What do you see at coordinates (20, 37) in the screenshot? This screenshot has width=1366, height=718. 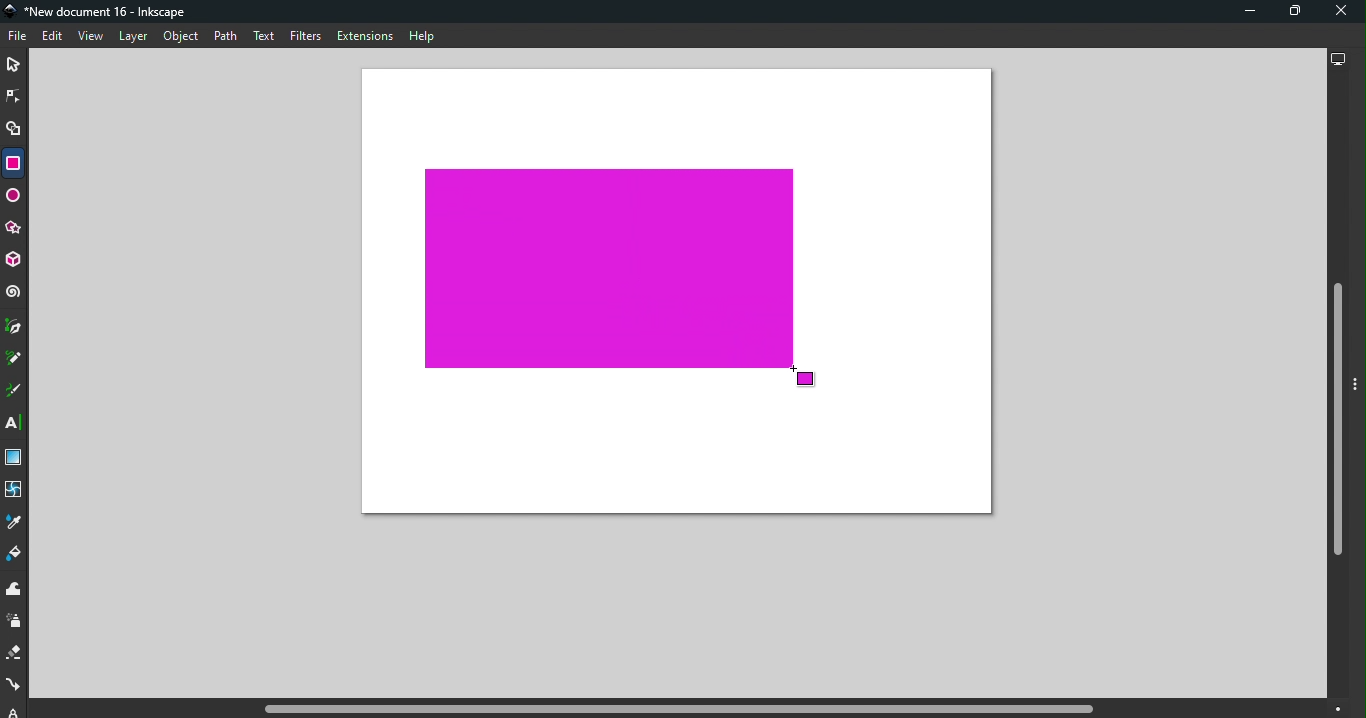 I see `File` at bounding box center [20, 37].